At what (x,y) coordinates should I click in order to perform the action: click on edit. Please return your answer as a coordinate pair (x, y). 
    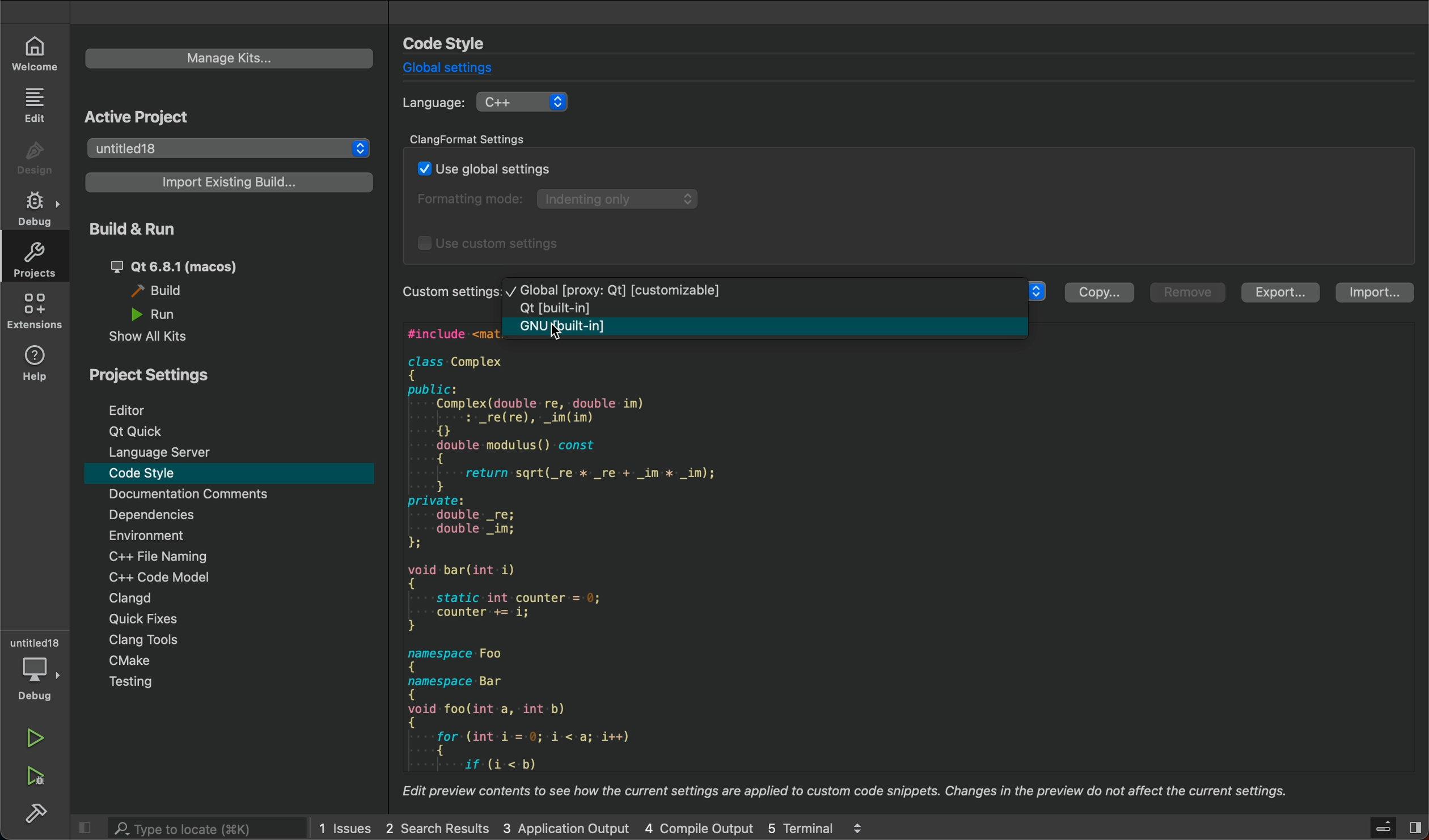
    Looking at the image, I should click on (35, 106).